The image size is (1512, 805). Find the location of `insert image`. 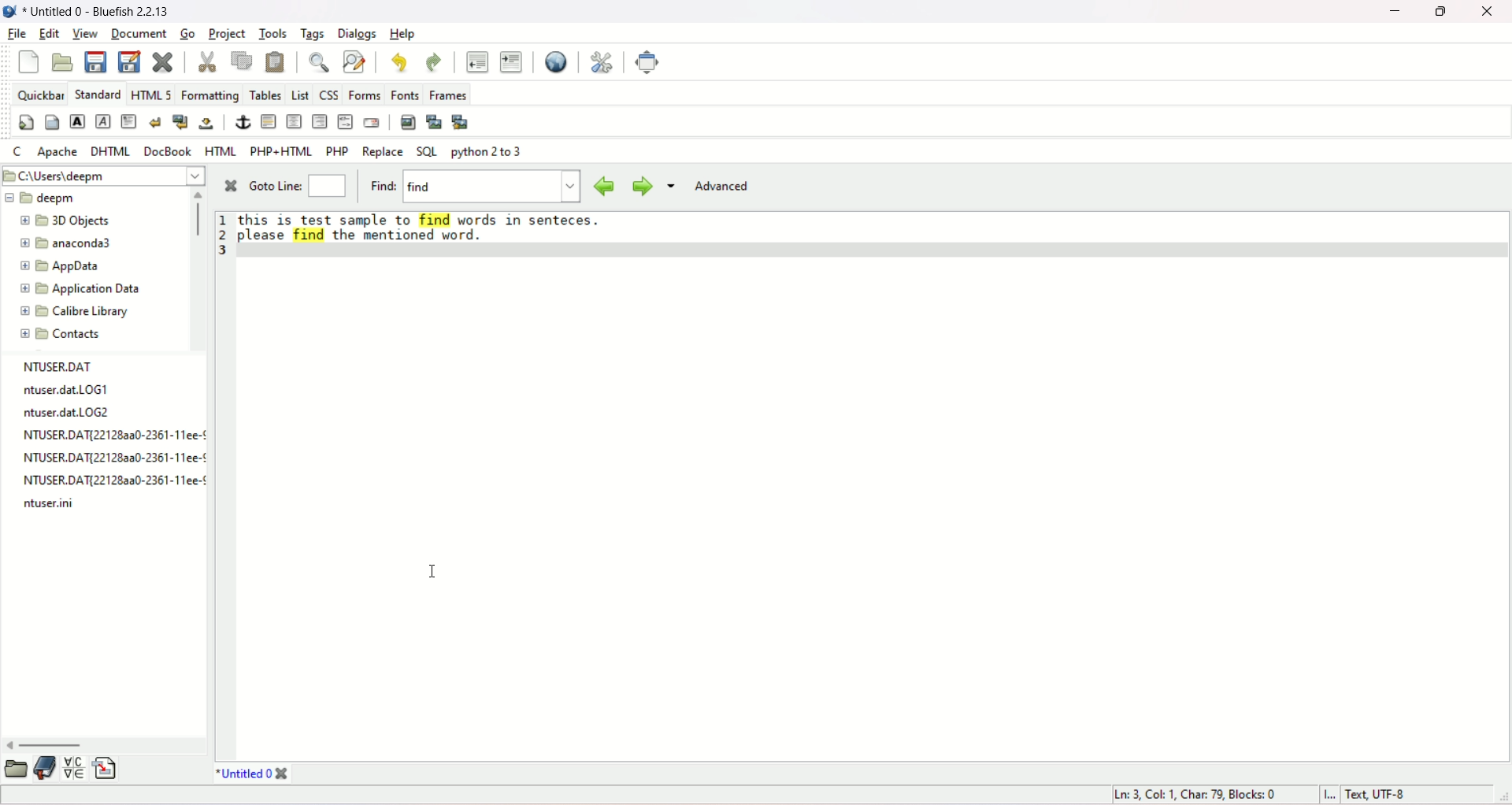

insert image is located at coordinates (407, 121).